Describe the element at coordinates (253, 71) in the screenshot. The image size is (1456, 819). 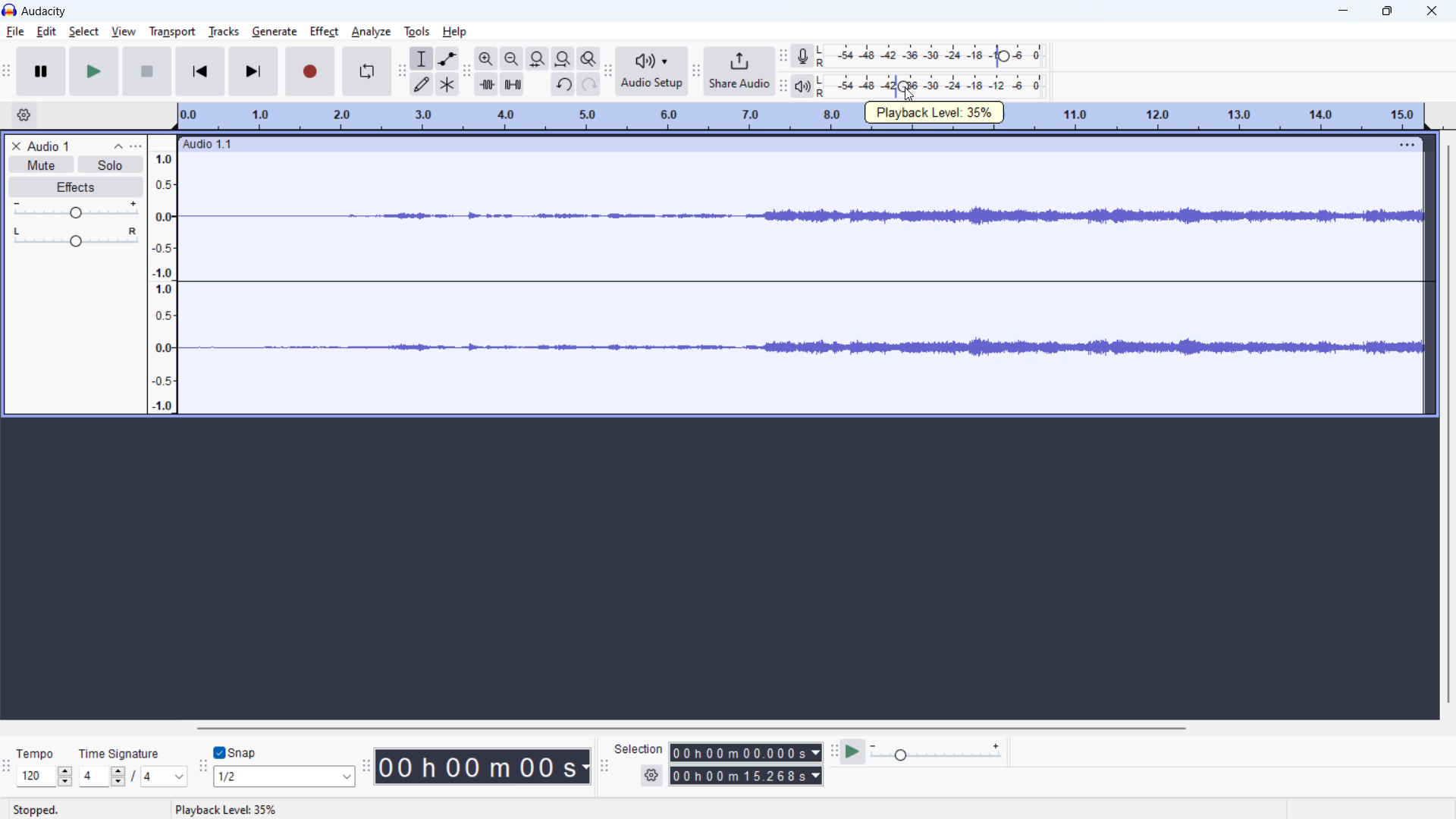
I see `skip to last` at that location.